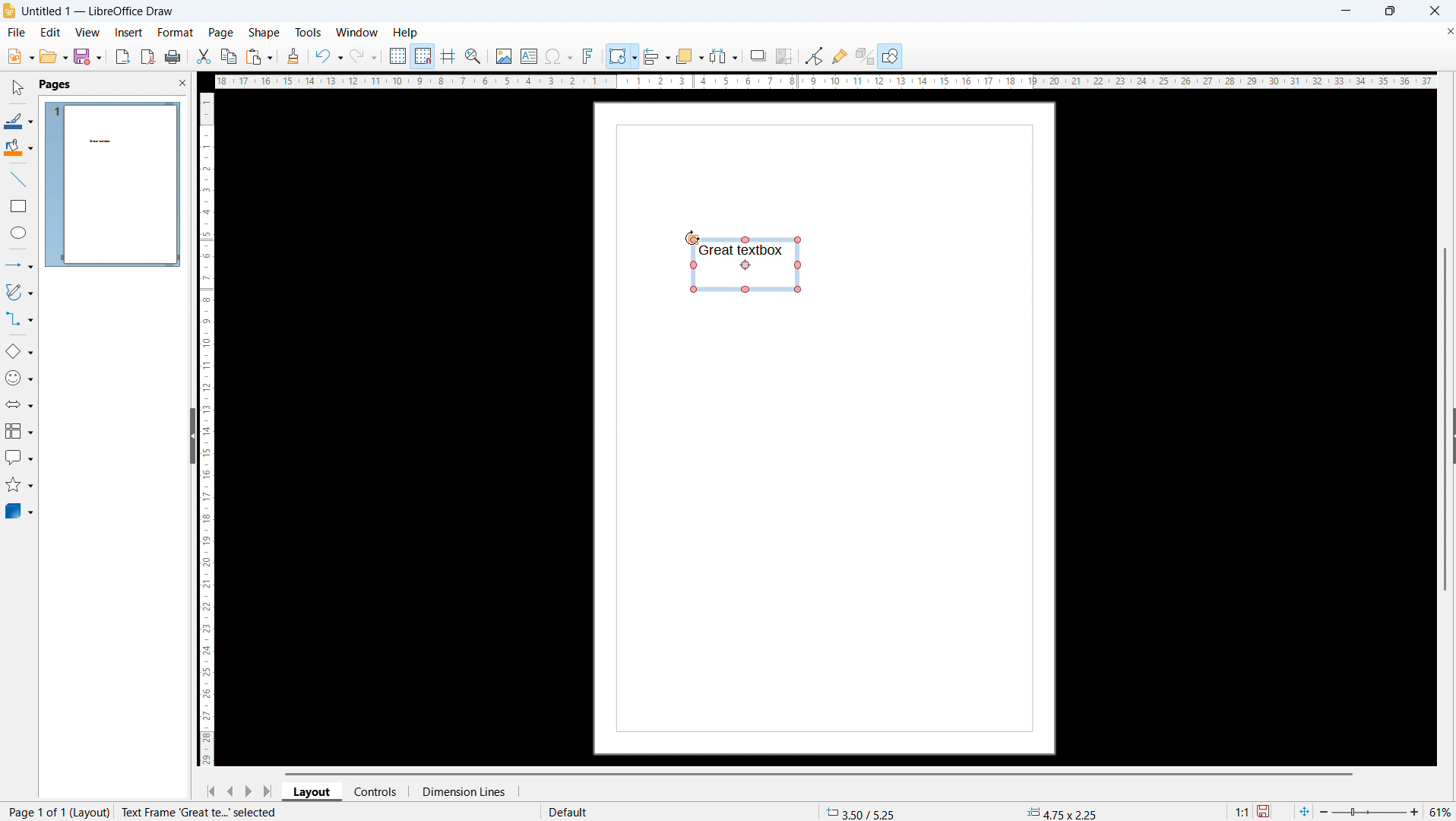  Describe the element at coordinates (357, 33) in the screenshot. I see `window` at that location.